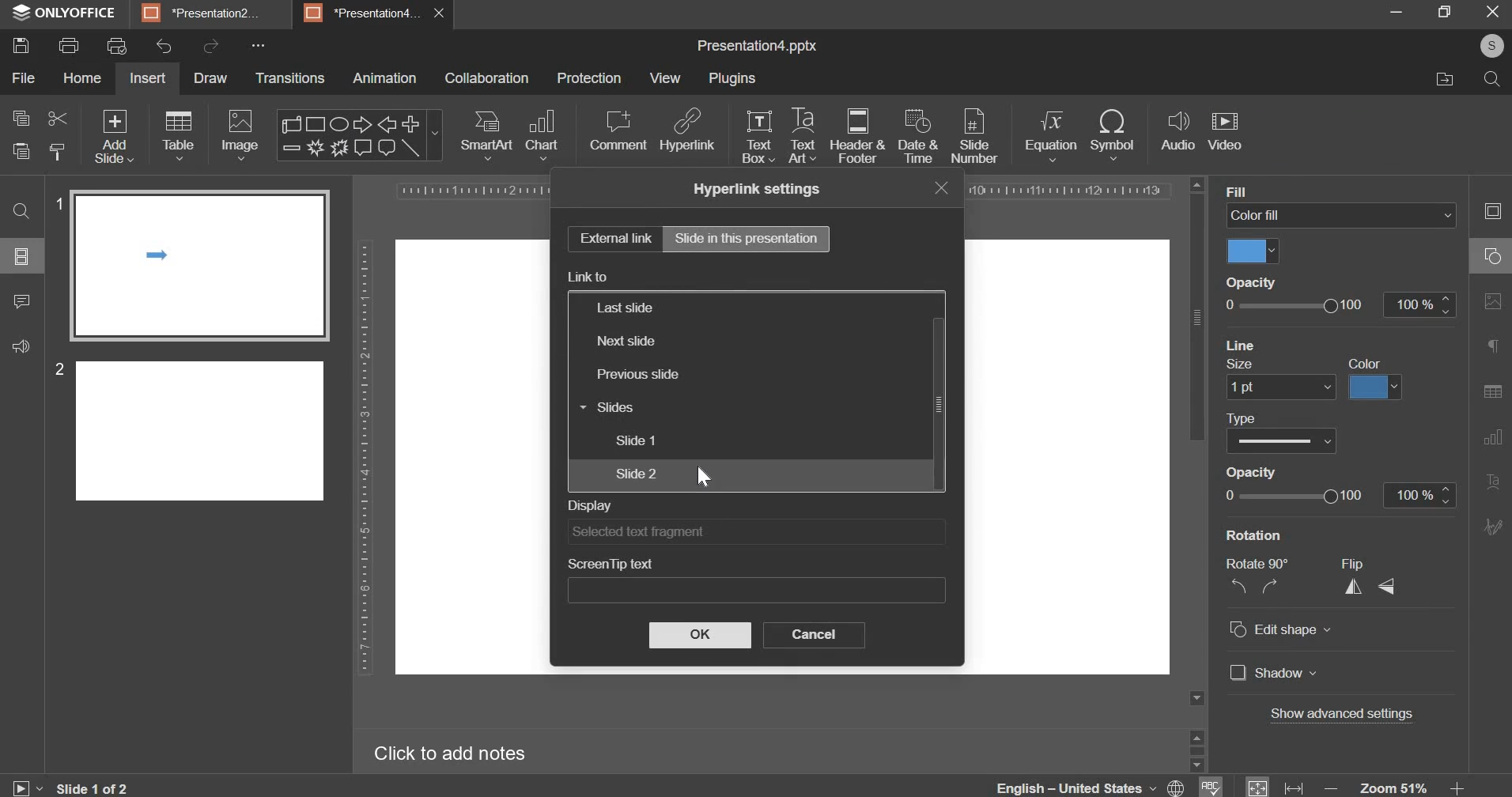 This screenshot has width=1512, height=797. I want to click on *Presentation2., so click(203, 15).